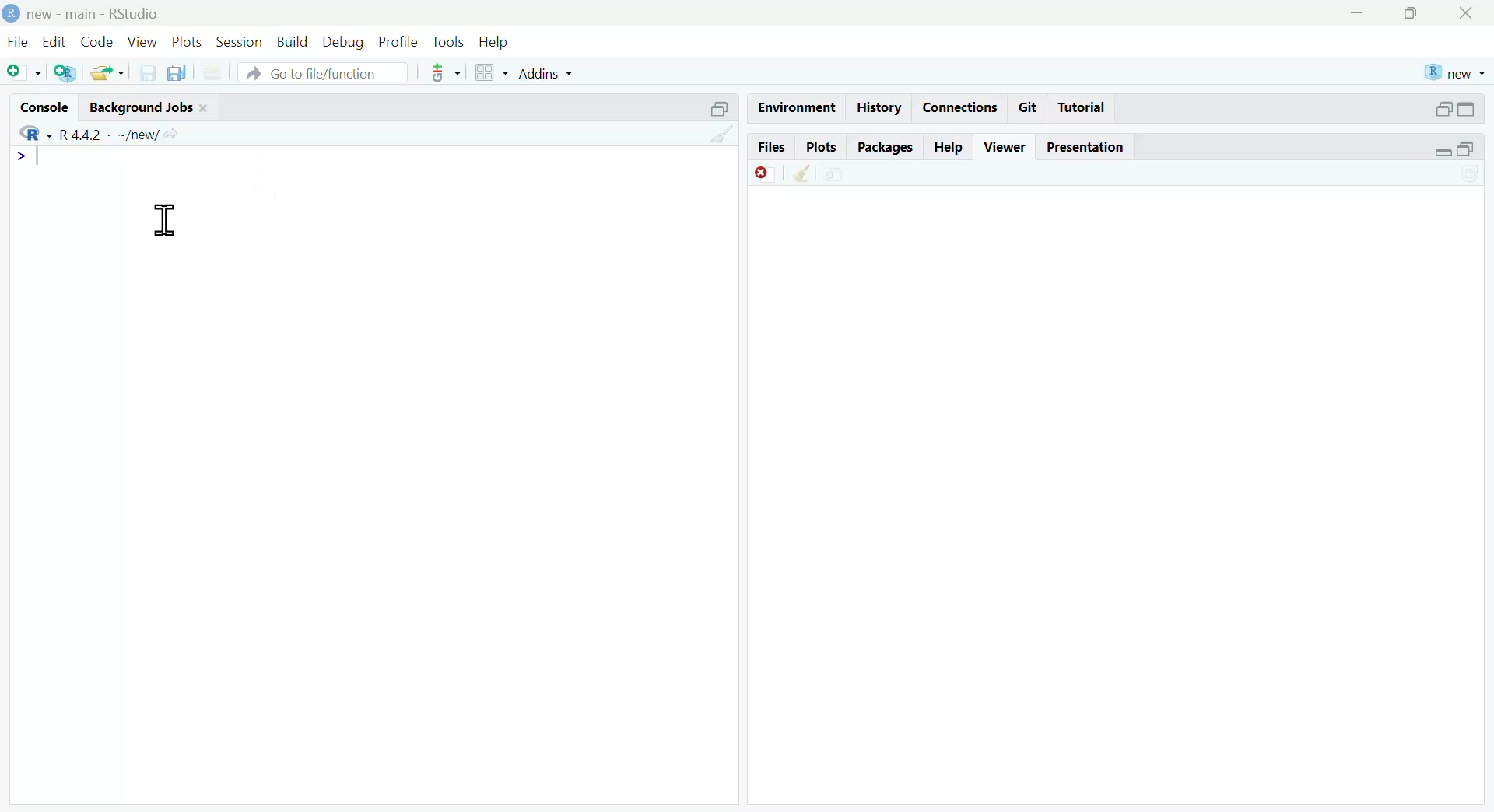 This screenshot has width=1494, height=812. Describe the element at coordinates (1442, 152) in the screenshot. I see `minimise` at that location.